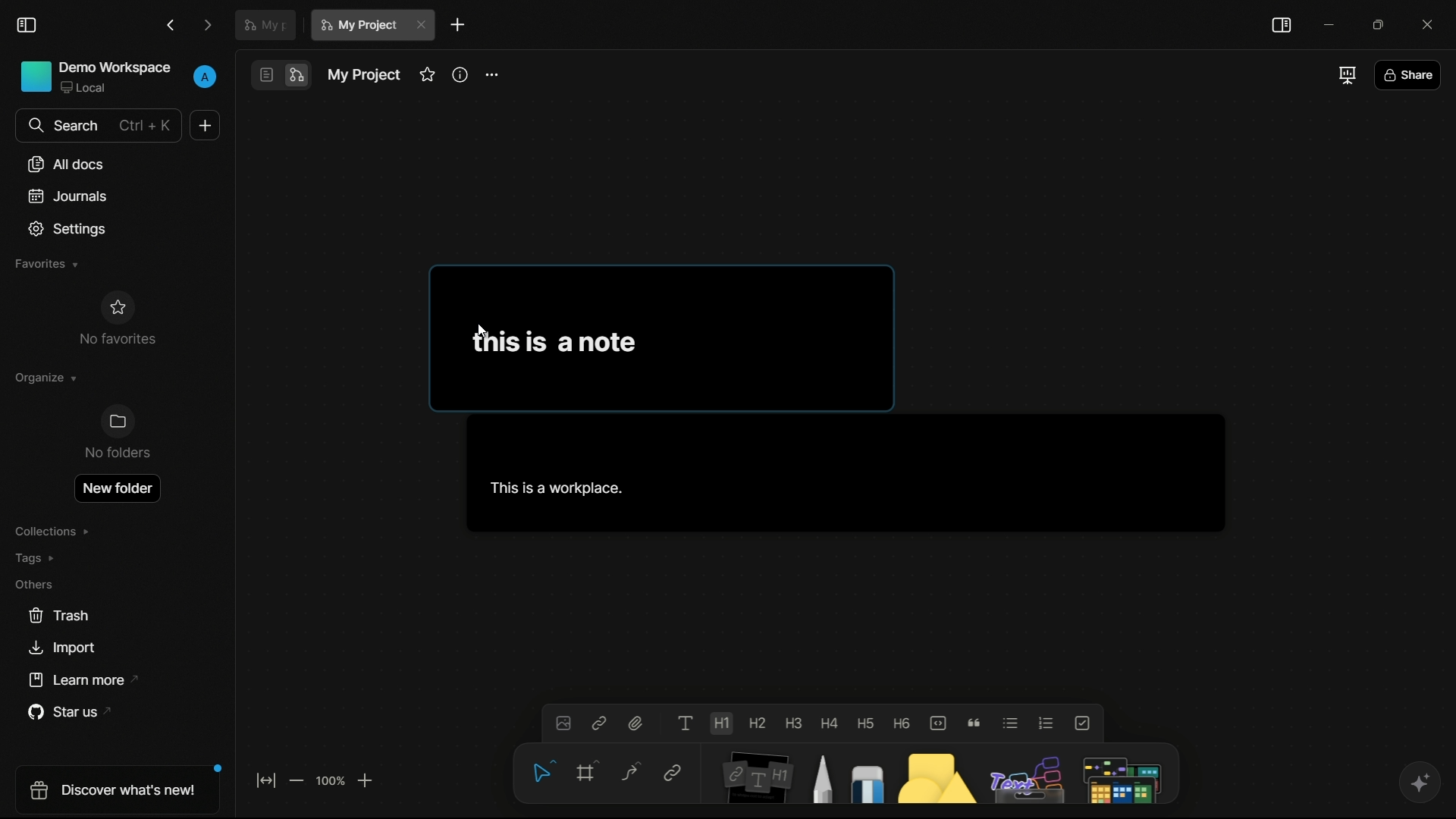 This screenshot has width=1456, height=819. I want to click on minimize, so click(1328, 24).